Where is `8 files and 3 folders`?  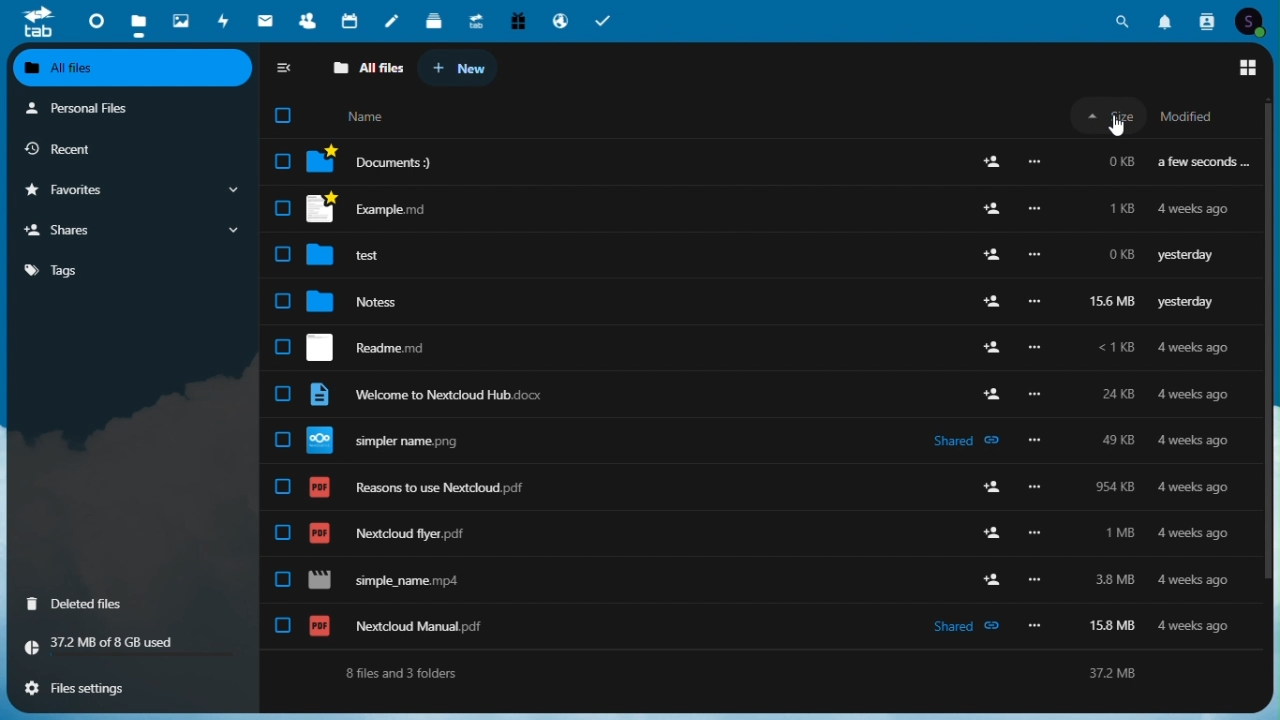 8 files and 3 folders is located at coordinates (399, 674).